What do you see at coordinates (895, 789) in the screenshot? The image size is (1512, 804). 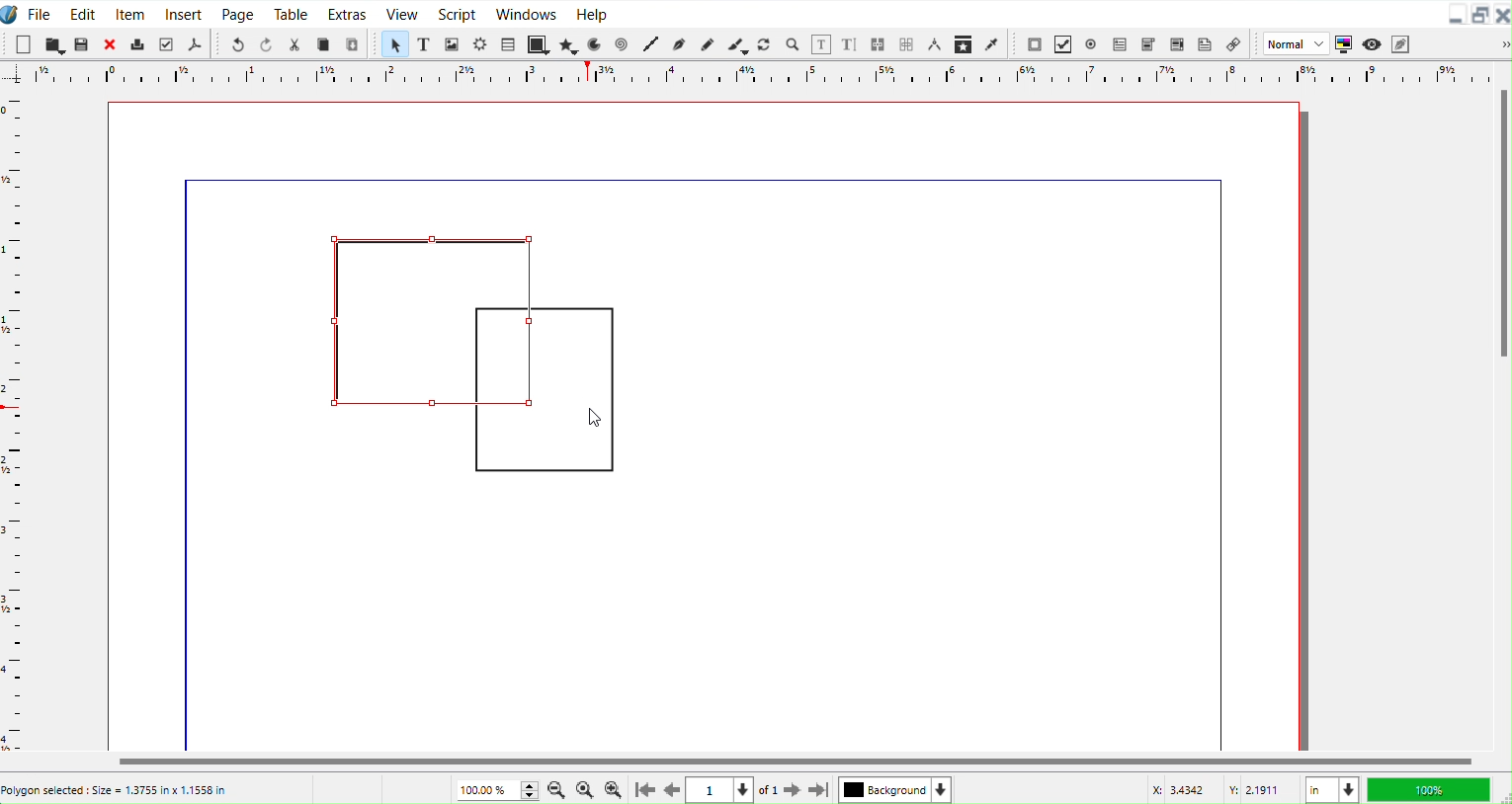 I see `Select current layer` at bounding box center [895, 789].